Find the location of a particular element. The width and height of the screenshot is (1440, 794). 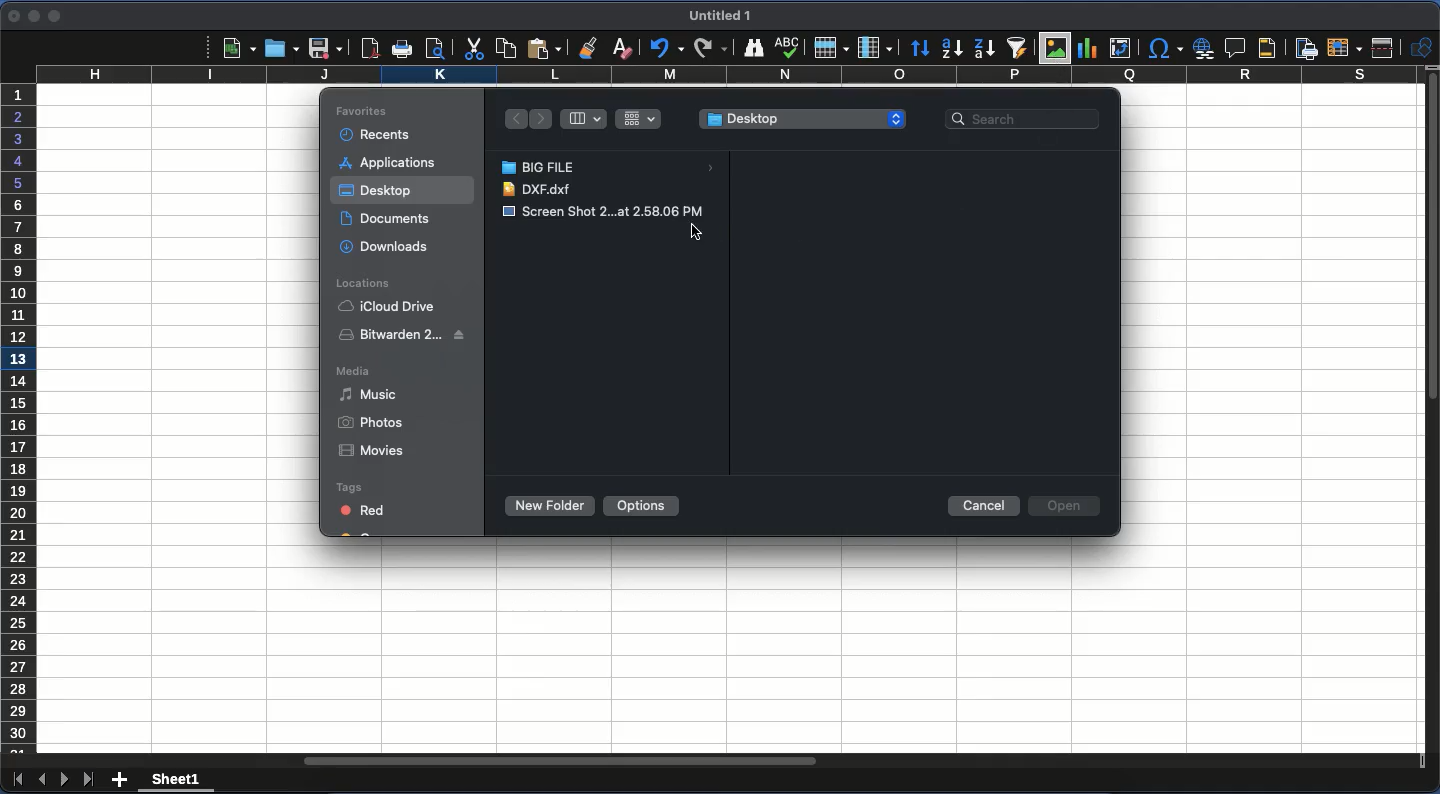

print is located at coordinates (402, 48).